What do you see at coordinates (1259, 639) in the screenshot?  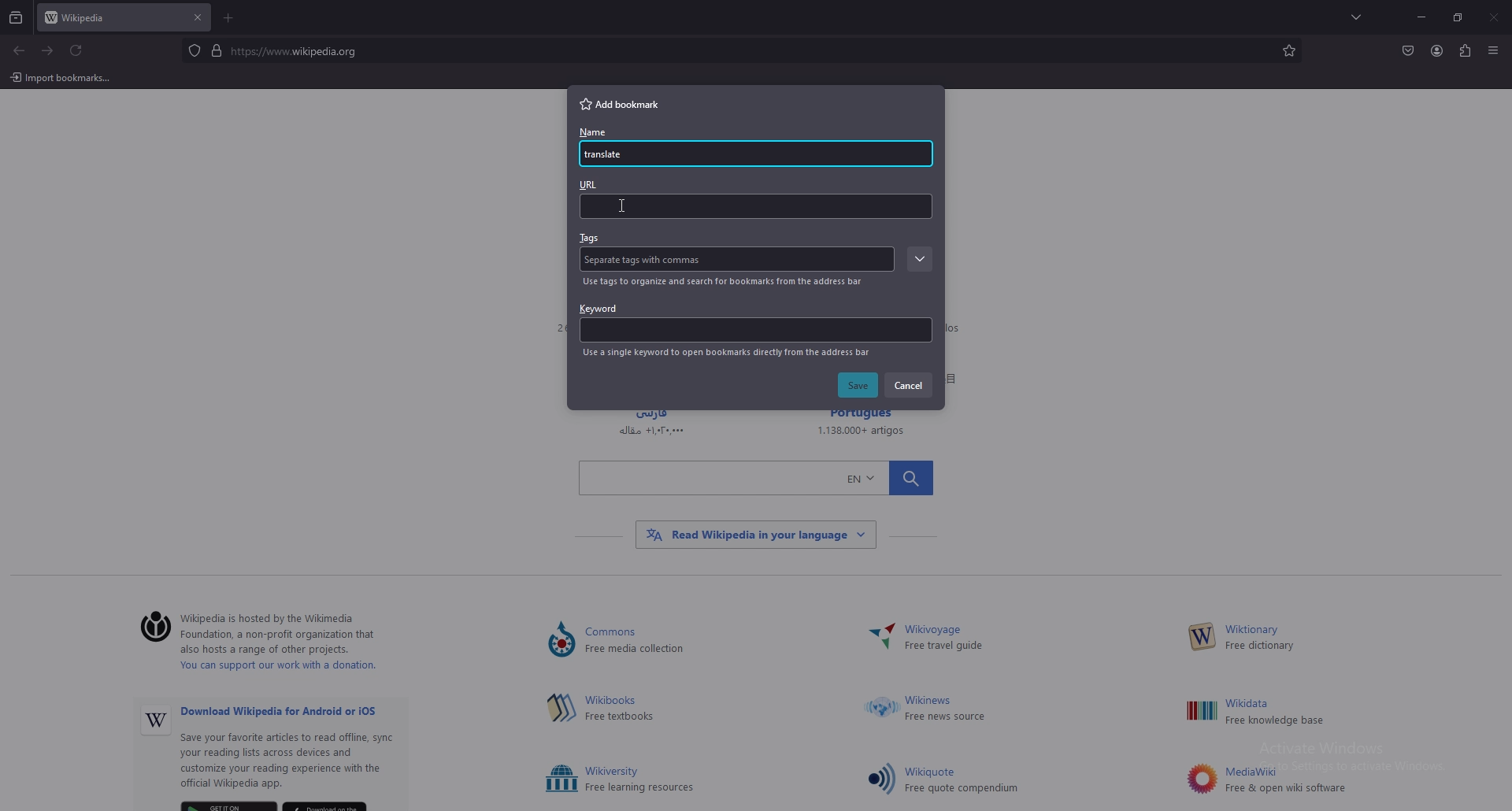 I see `W—
Free dictionary` at bounding box center [1259, 639].